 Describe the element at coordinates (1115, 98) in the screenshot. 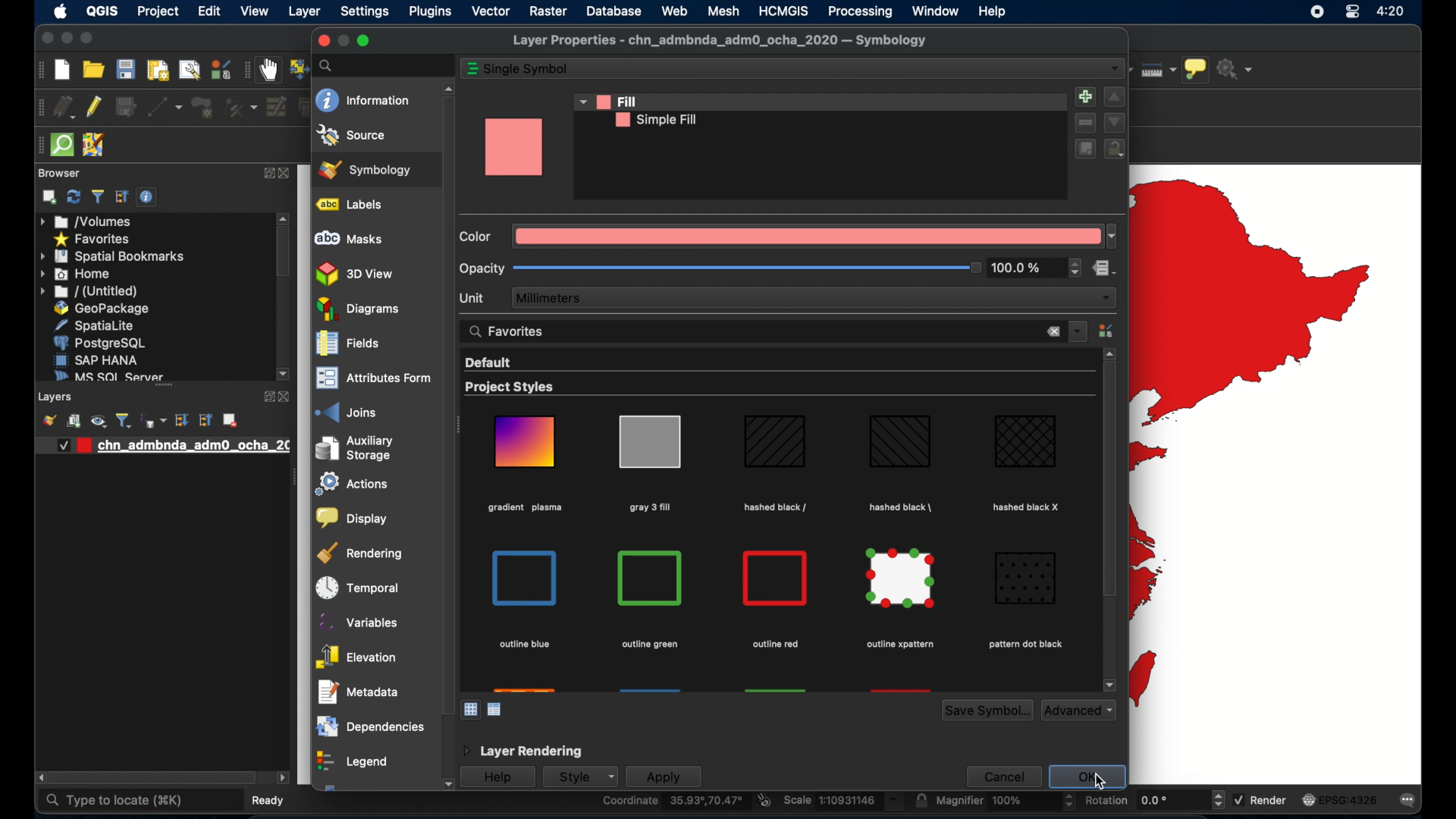

I see `move up` at that location.